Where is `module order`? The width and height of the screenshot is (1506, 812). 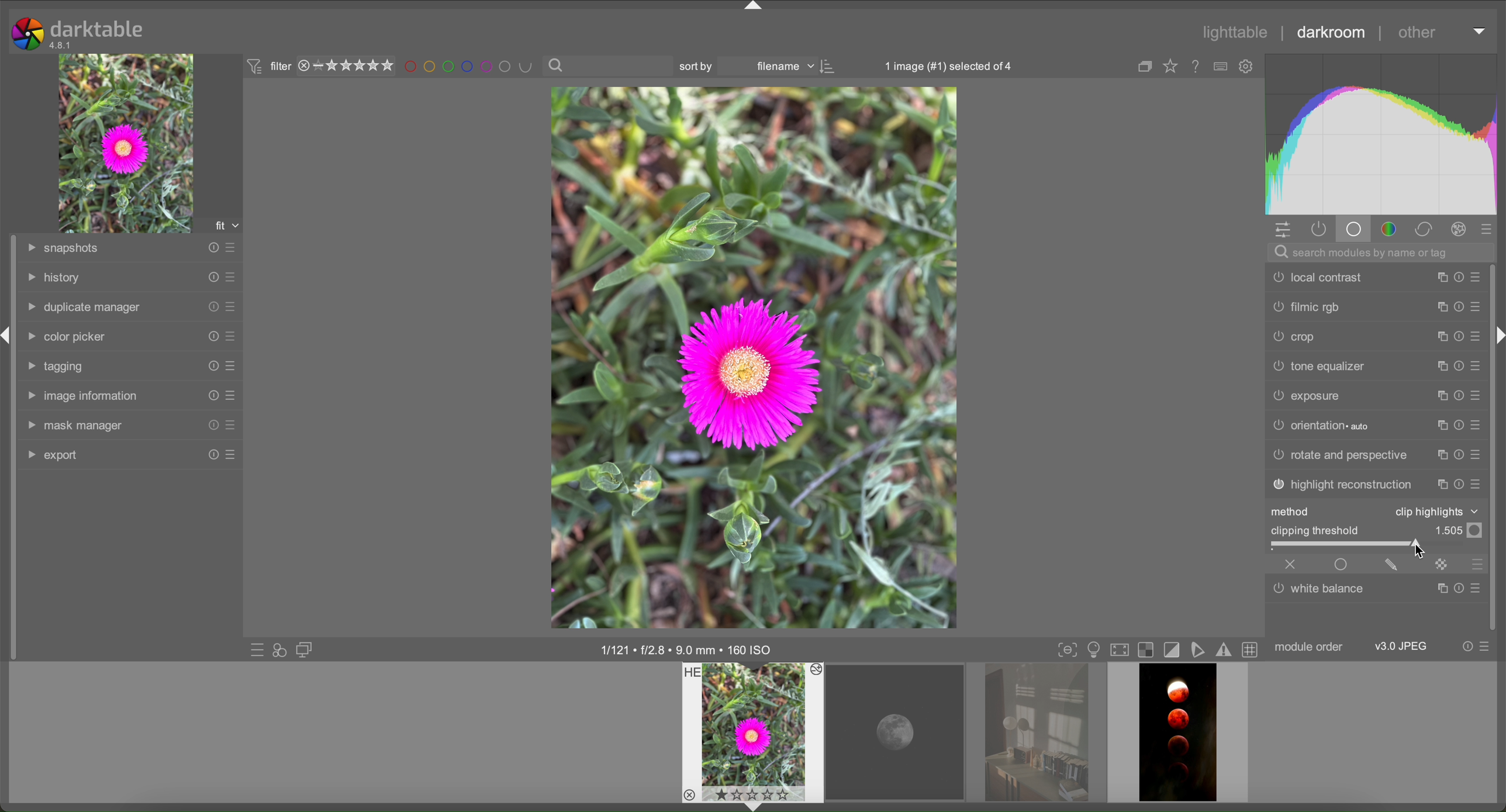 module order is located at coordinates (1310, 647).